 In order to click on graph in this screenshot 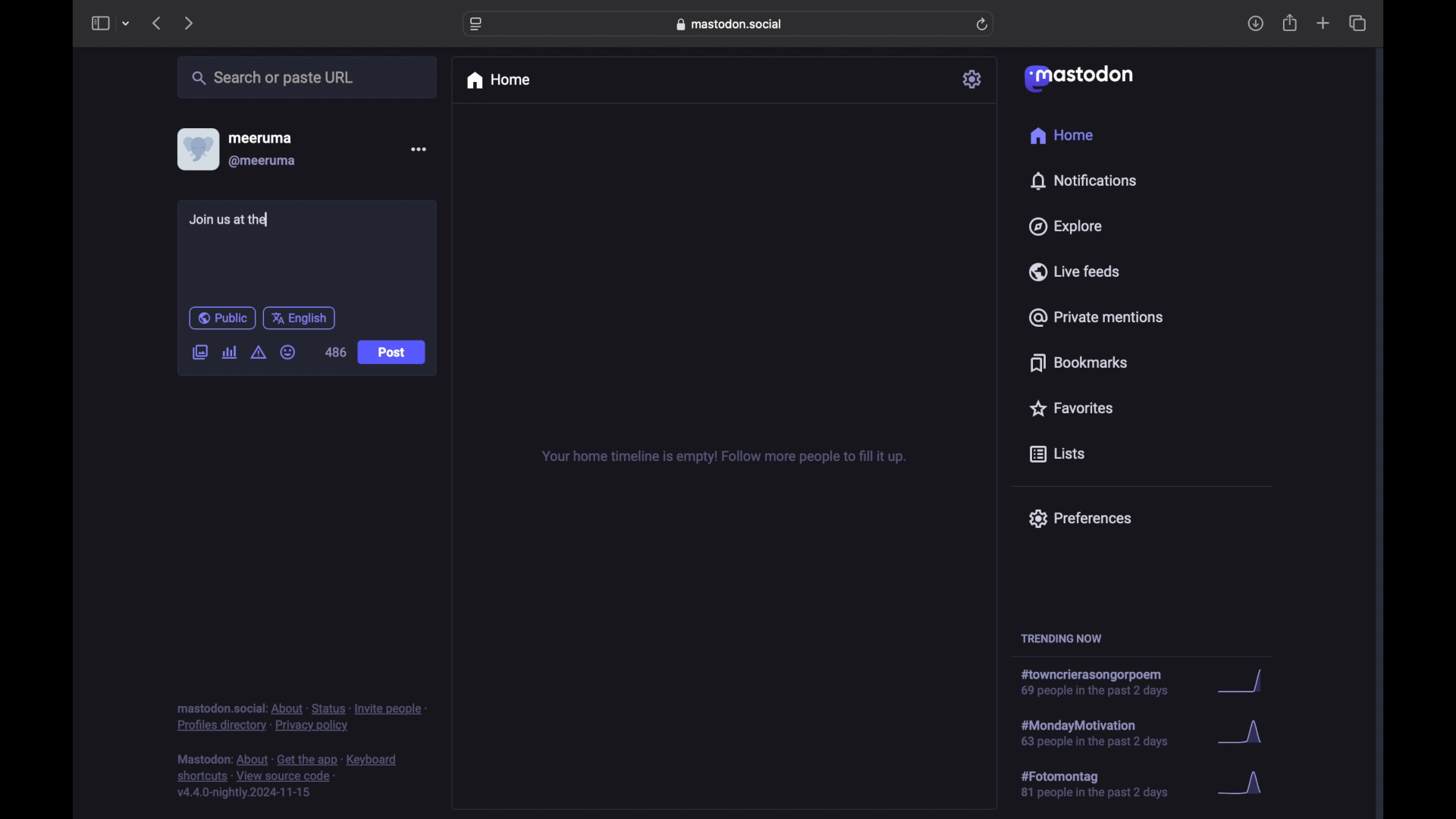, I will do `click(1244, 736)`.